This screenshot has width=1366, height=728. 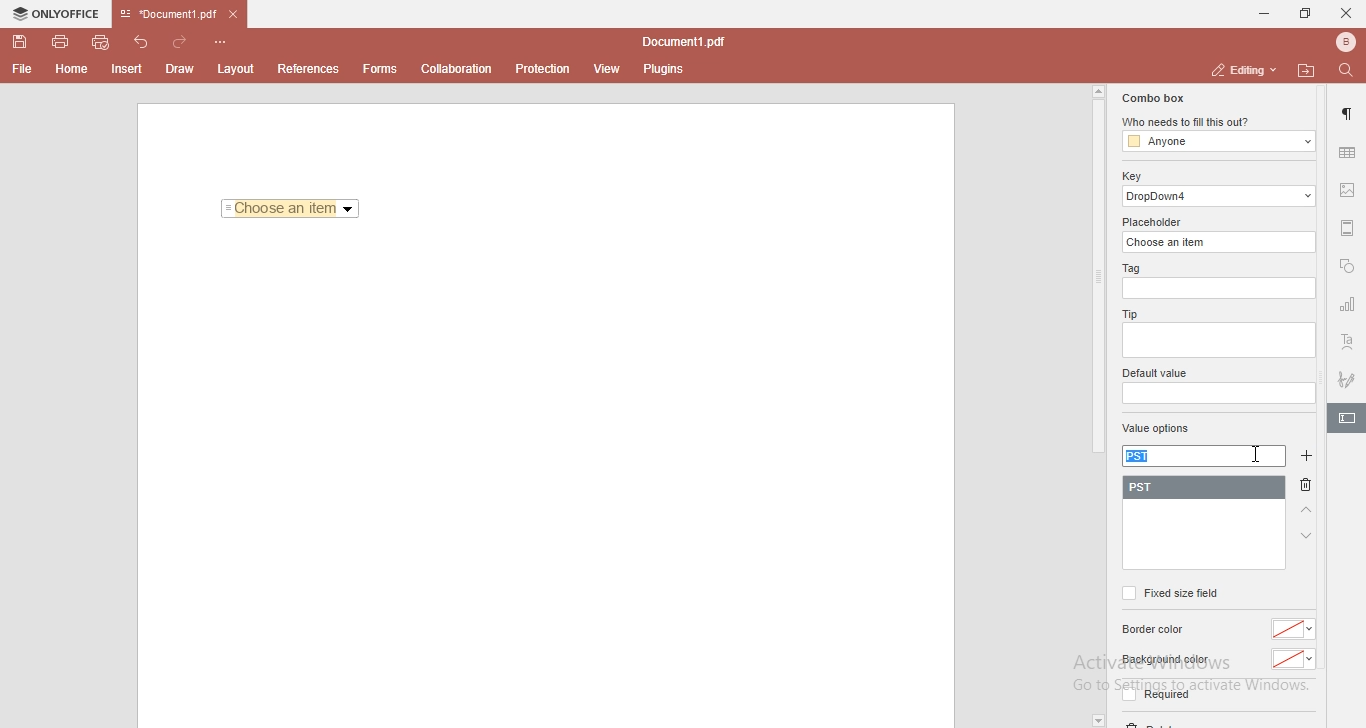 I want to click on margin, so click(x=1348, y=226).